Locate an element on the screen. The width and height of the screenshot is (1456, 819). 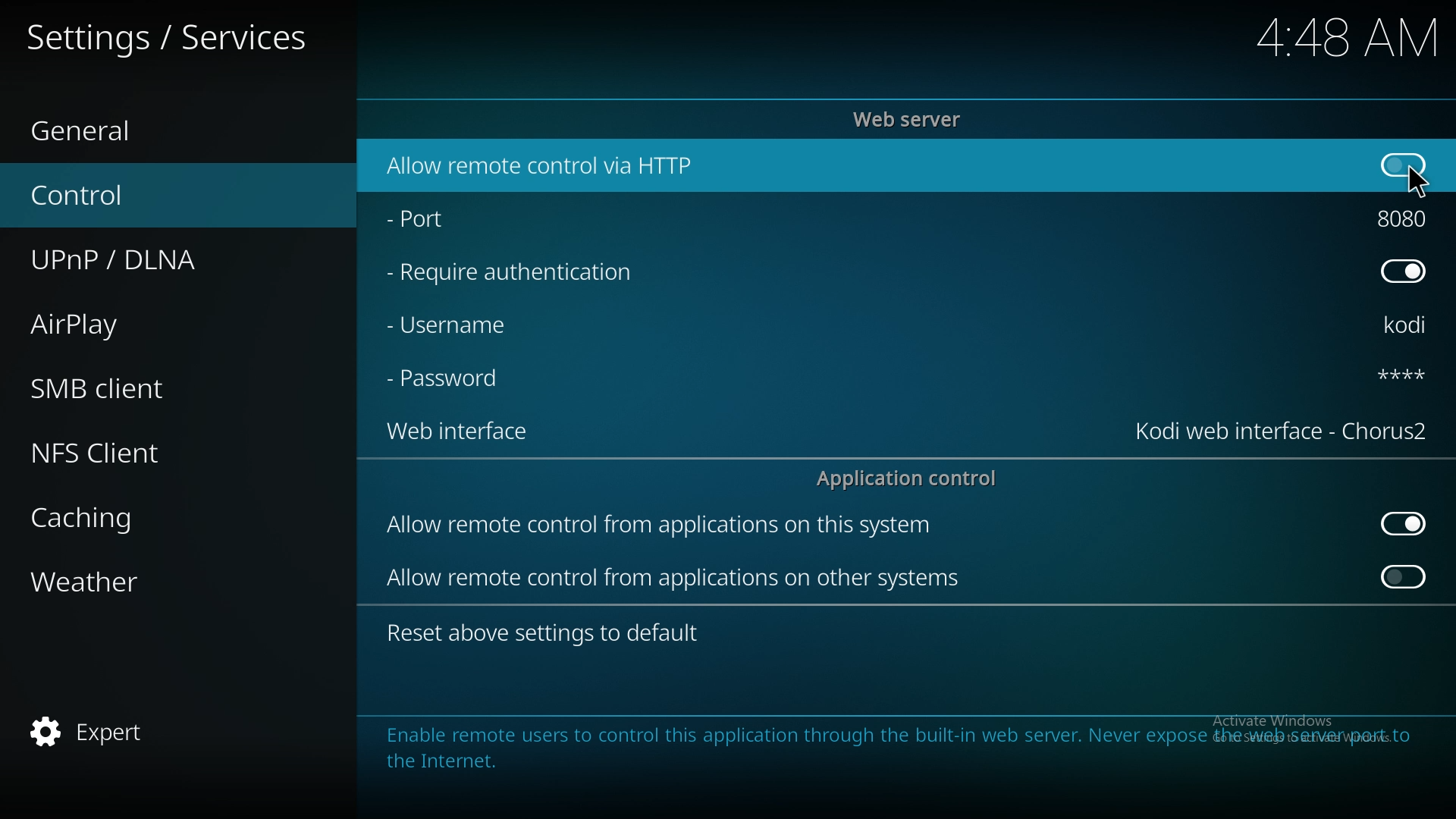
require authentication is located at coordinates (529, 275).